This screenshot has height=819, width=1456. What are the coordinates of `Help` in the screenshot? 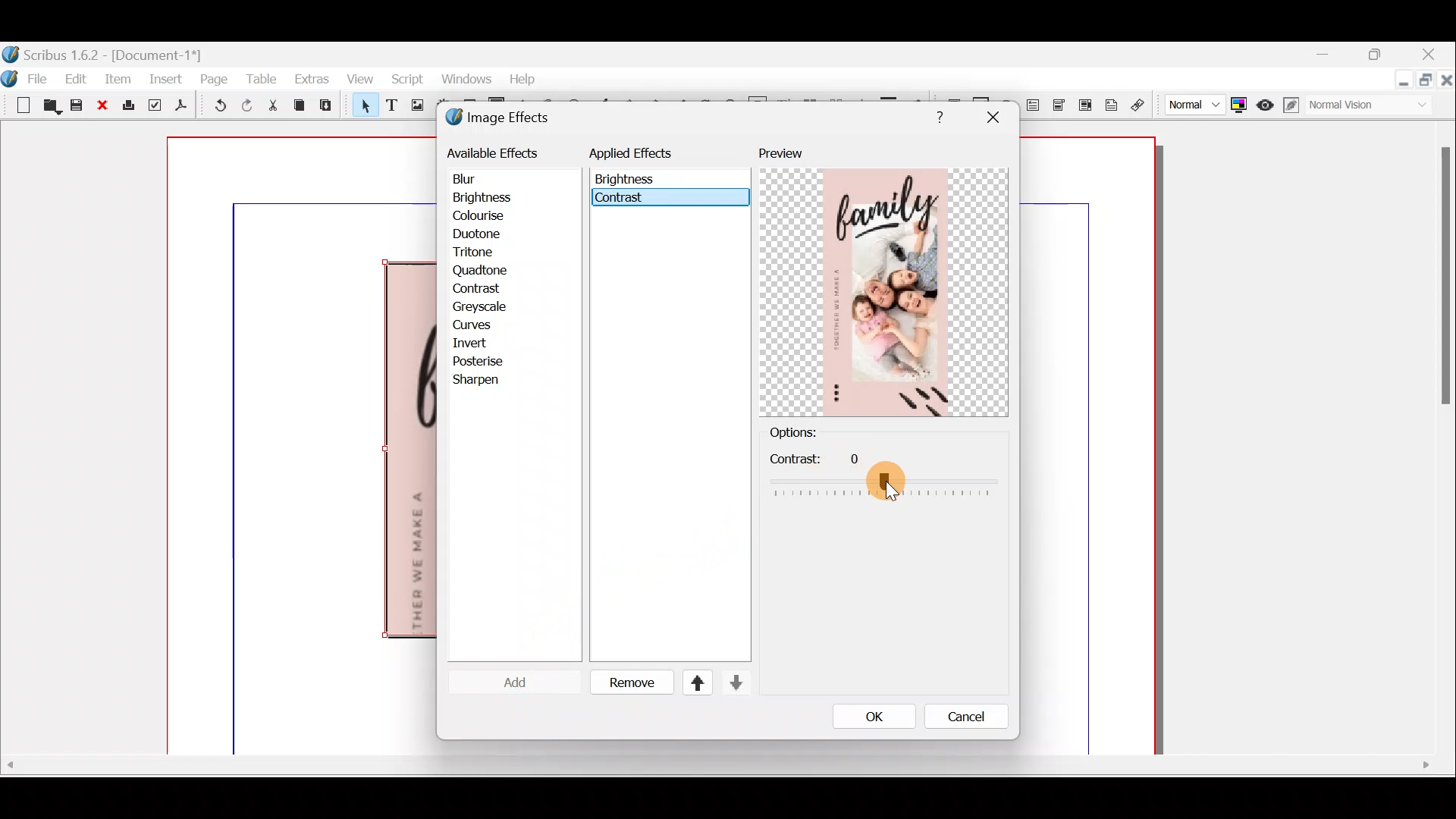 It's located at (522, 77).